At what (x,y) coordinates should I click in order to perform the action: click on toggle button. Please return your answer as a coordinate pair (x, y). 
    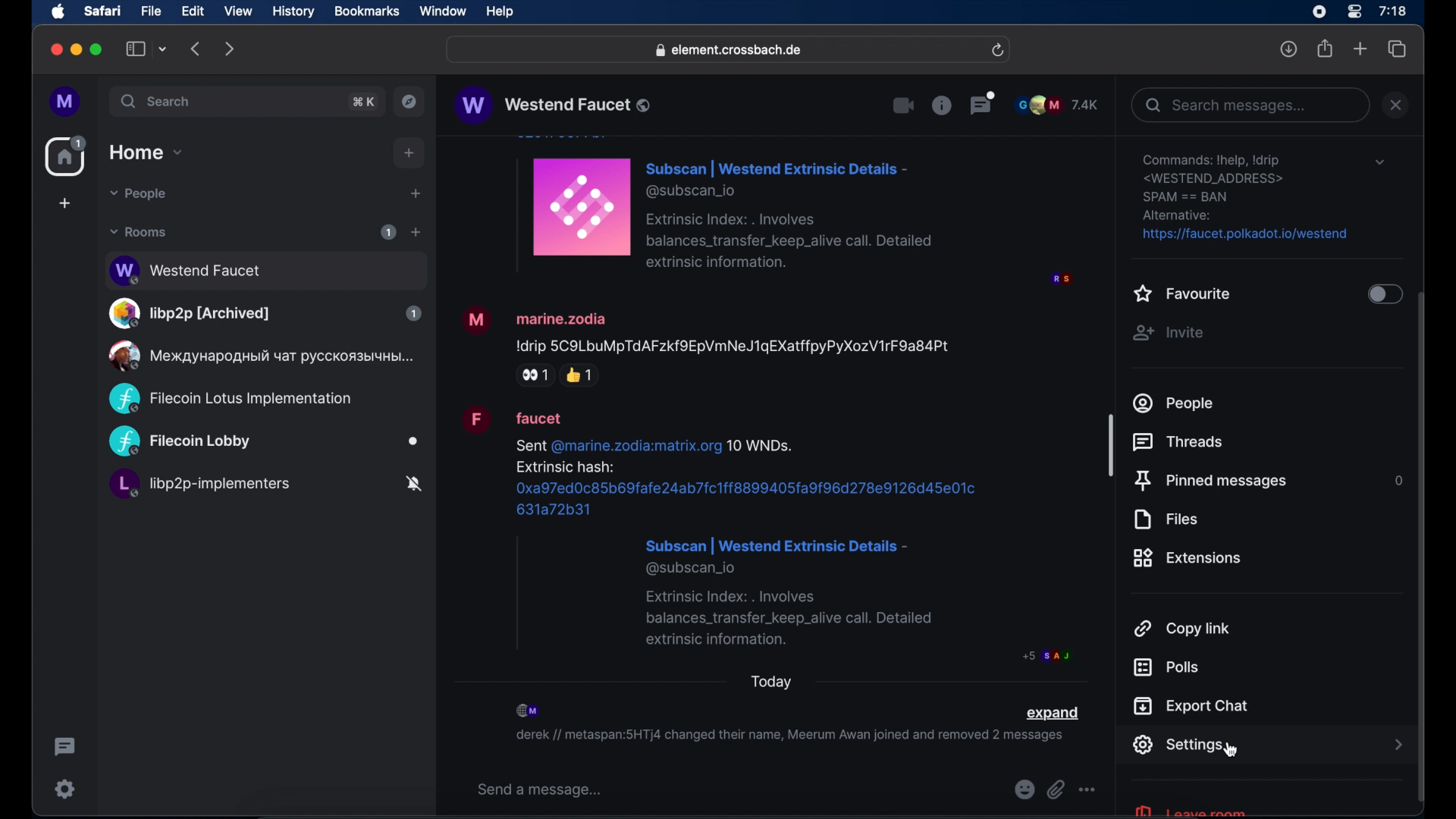
    Looking at the image, I should click on (1383, 296).